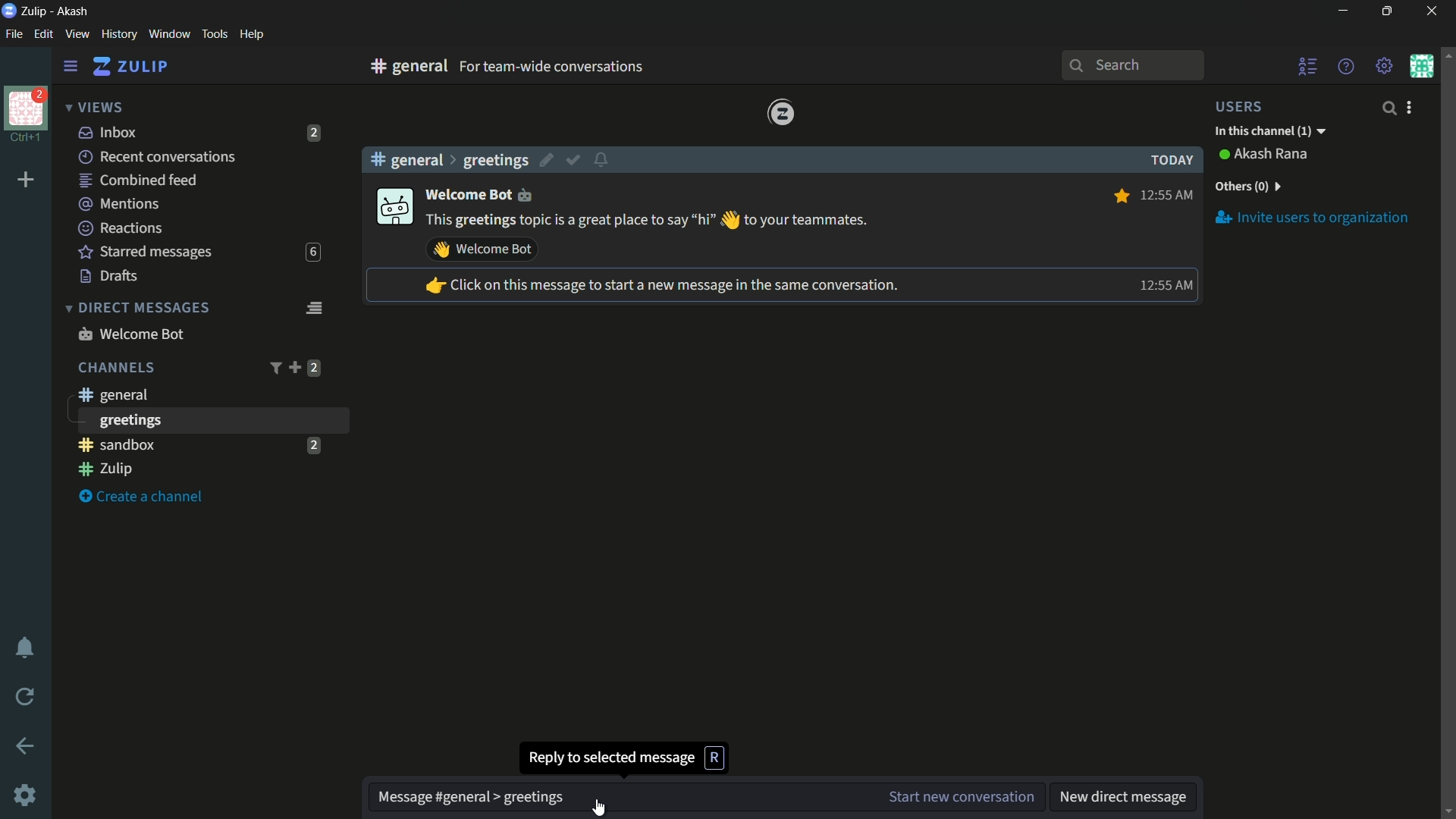 The height and width of the screenshot is (819, 1456). I want to click on inbox, so click(108, 132).